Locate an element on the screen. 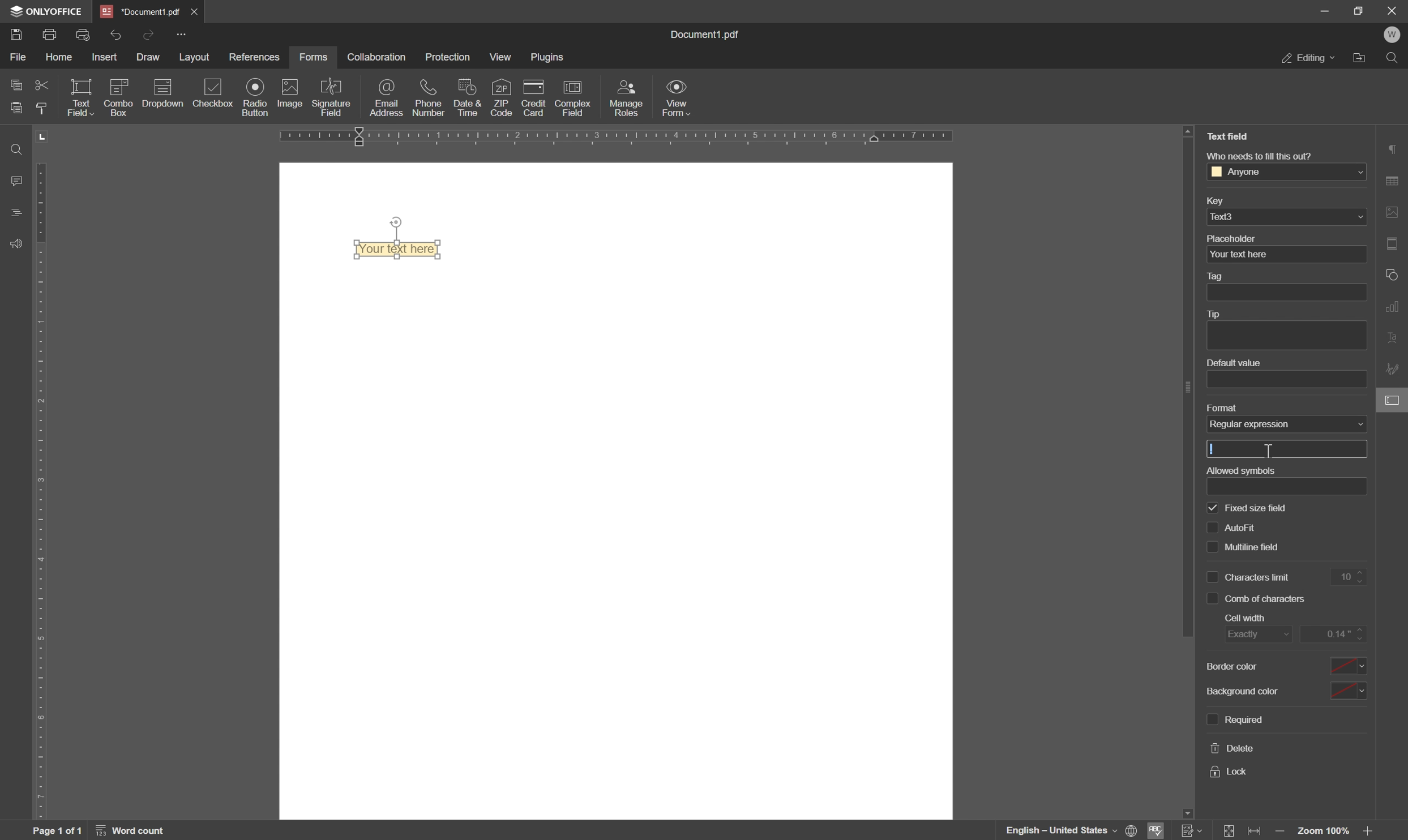 The height and width of the screenshot is (840, 1408). text field is located at coordinates (80, 97).